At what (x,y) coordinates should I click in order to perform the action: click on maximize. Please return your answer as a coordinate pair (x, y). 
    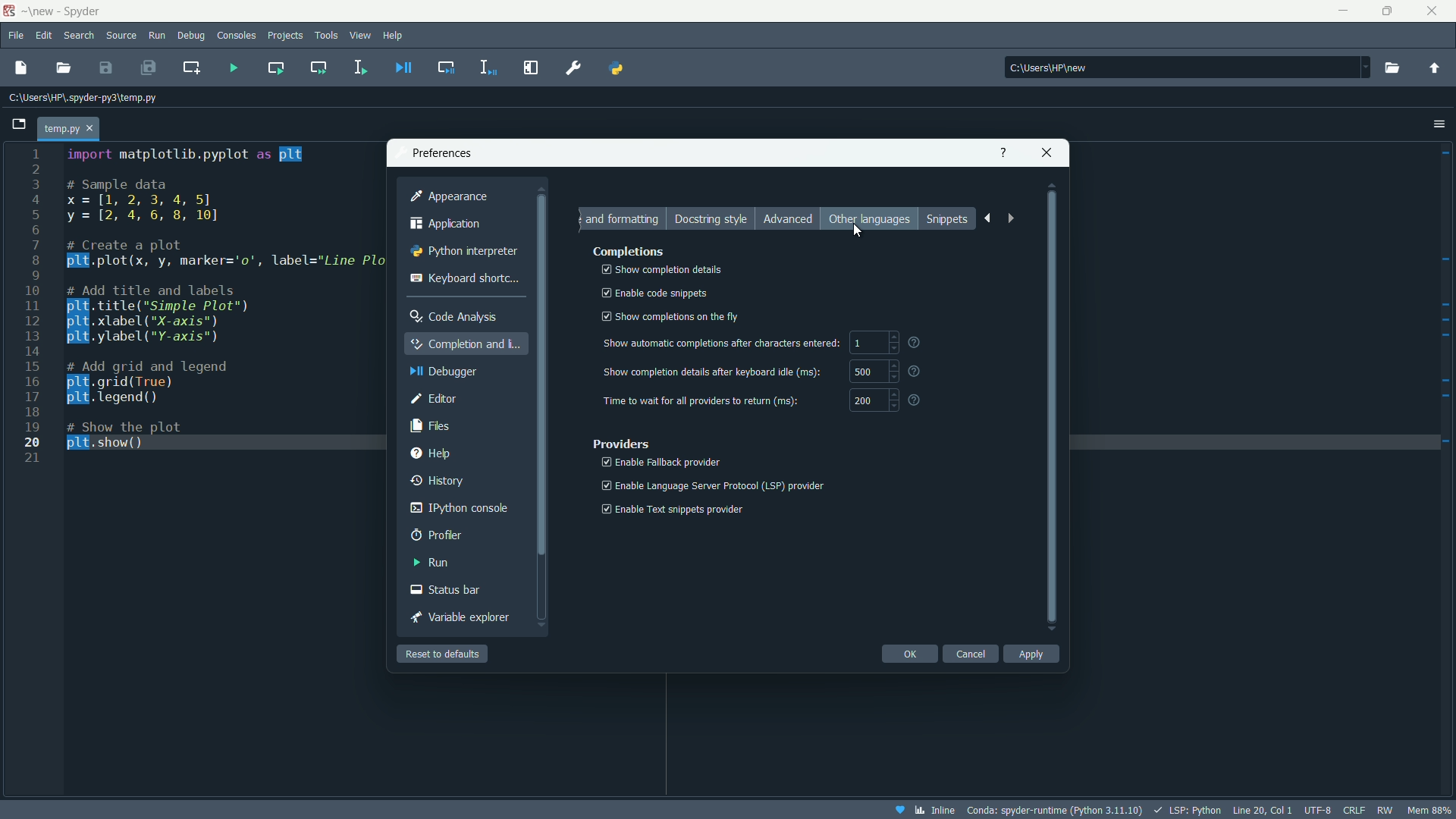
    Looking at the image, I should click on (1387, 11).